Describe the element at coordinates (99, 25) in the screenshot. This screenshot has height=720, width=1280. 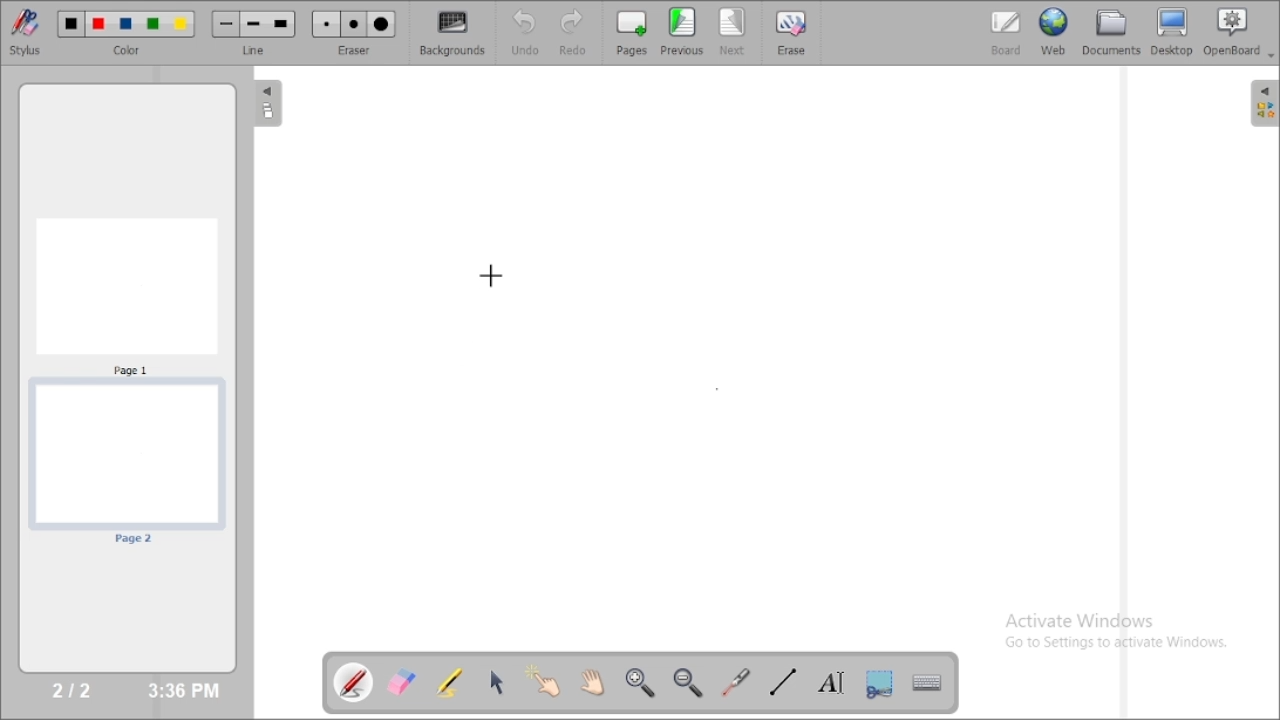
I see `Color 2` at that location.